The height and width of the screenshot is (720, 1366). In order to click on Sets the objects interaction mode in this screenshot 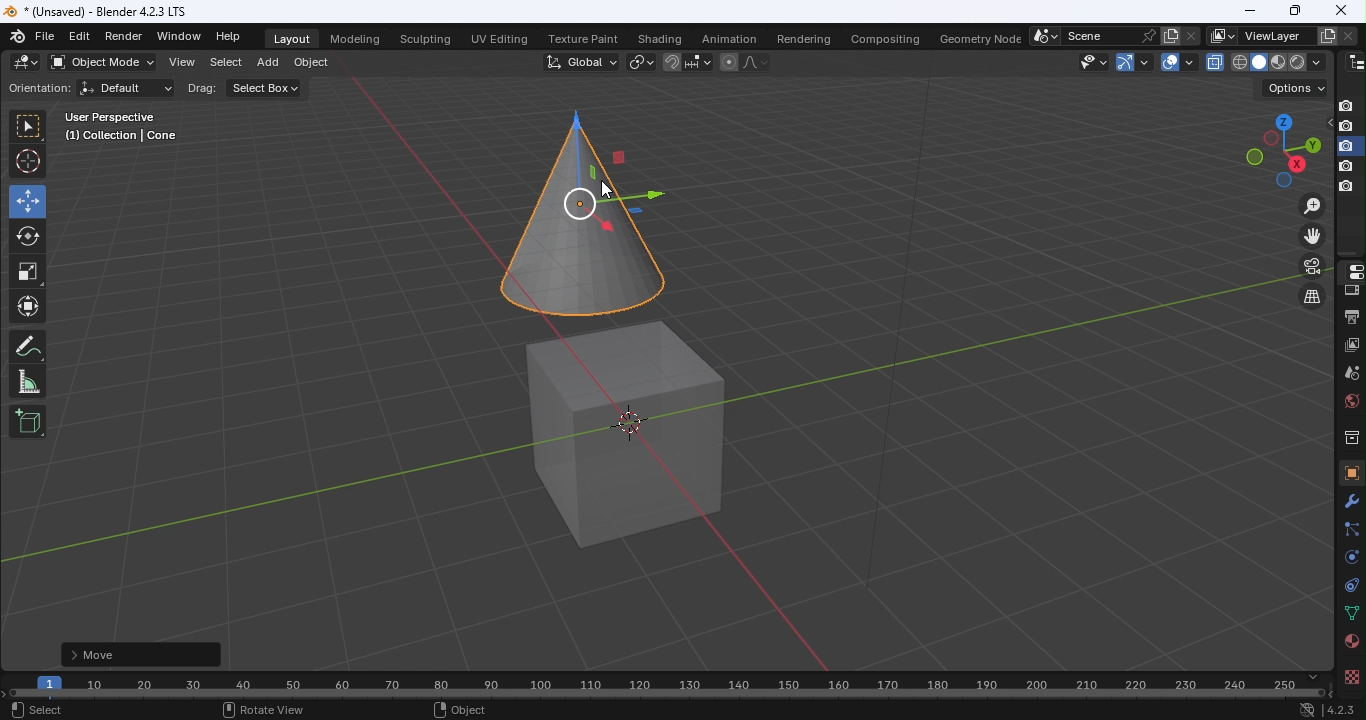, I will do `click(101, 63)`.